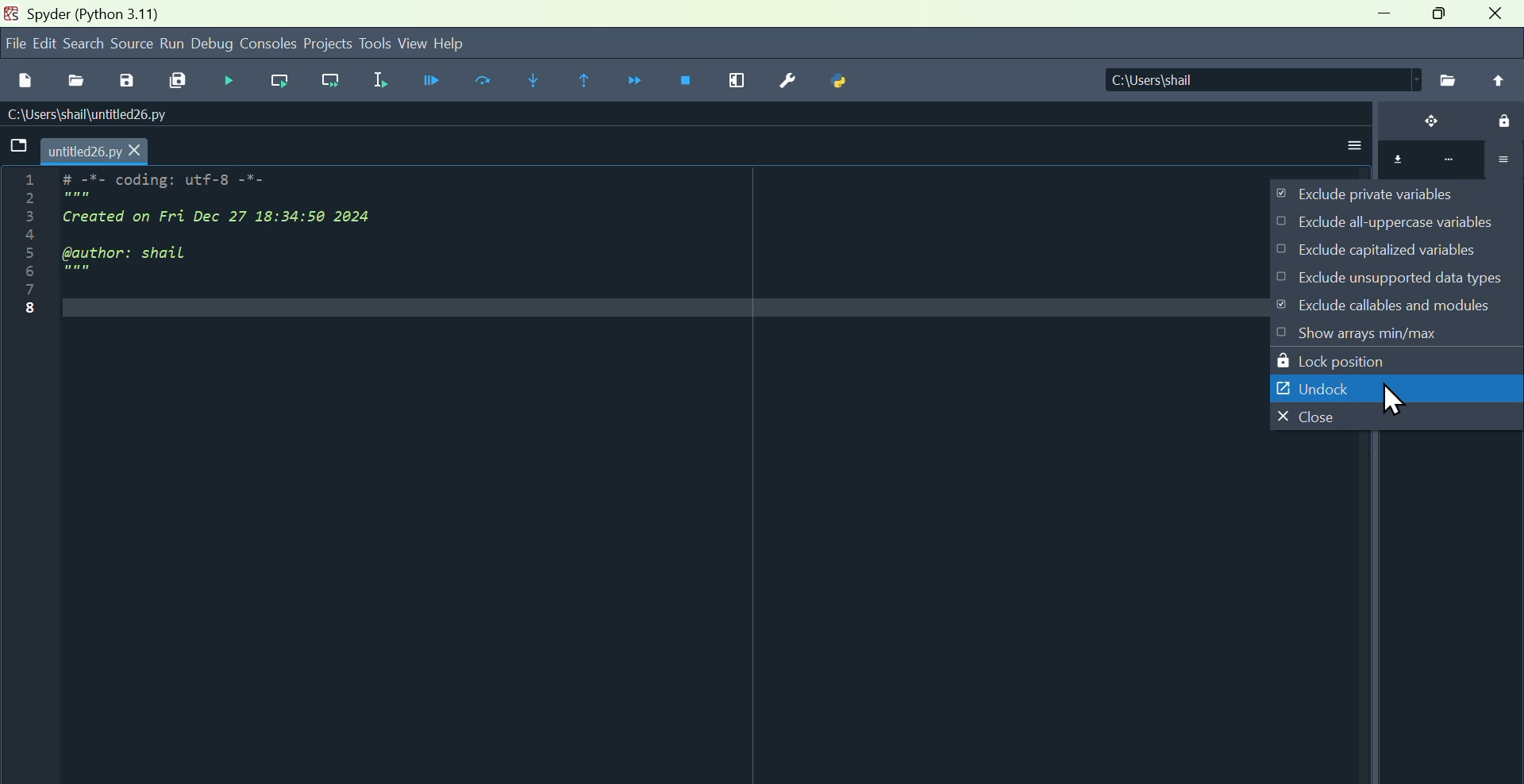 The height and width of the screenshot is (784, 1524). Describe the element at coordinates (689, 83) in the screenshot. I see `Stop debugging` at that location.